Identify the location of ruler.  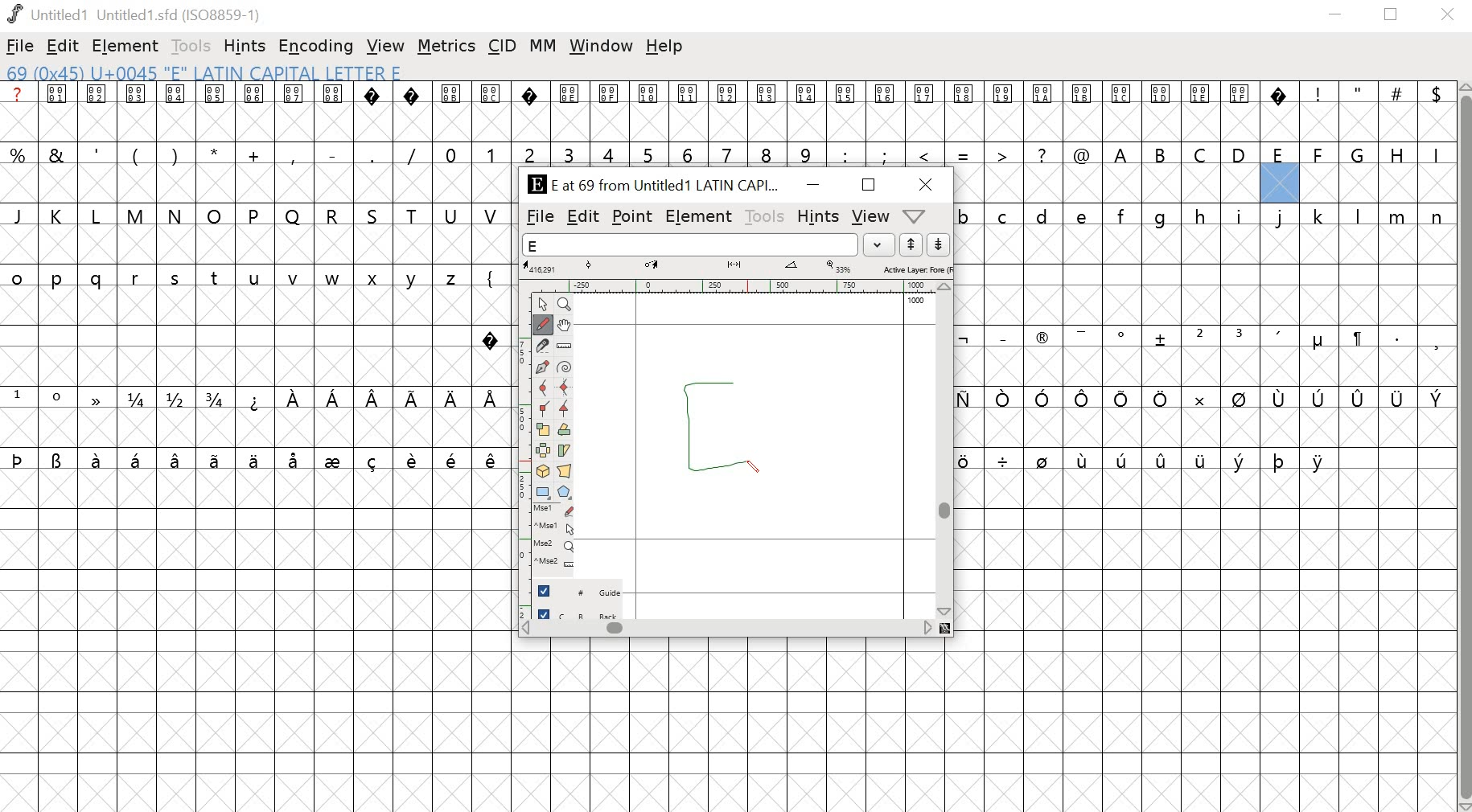
(731, 285).